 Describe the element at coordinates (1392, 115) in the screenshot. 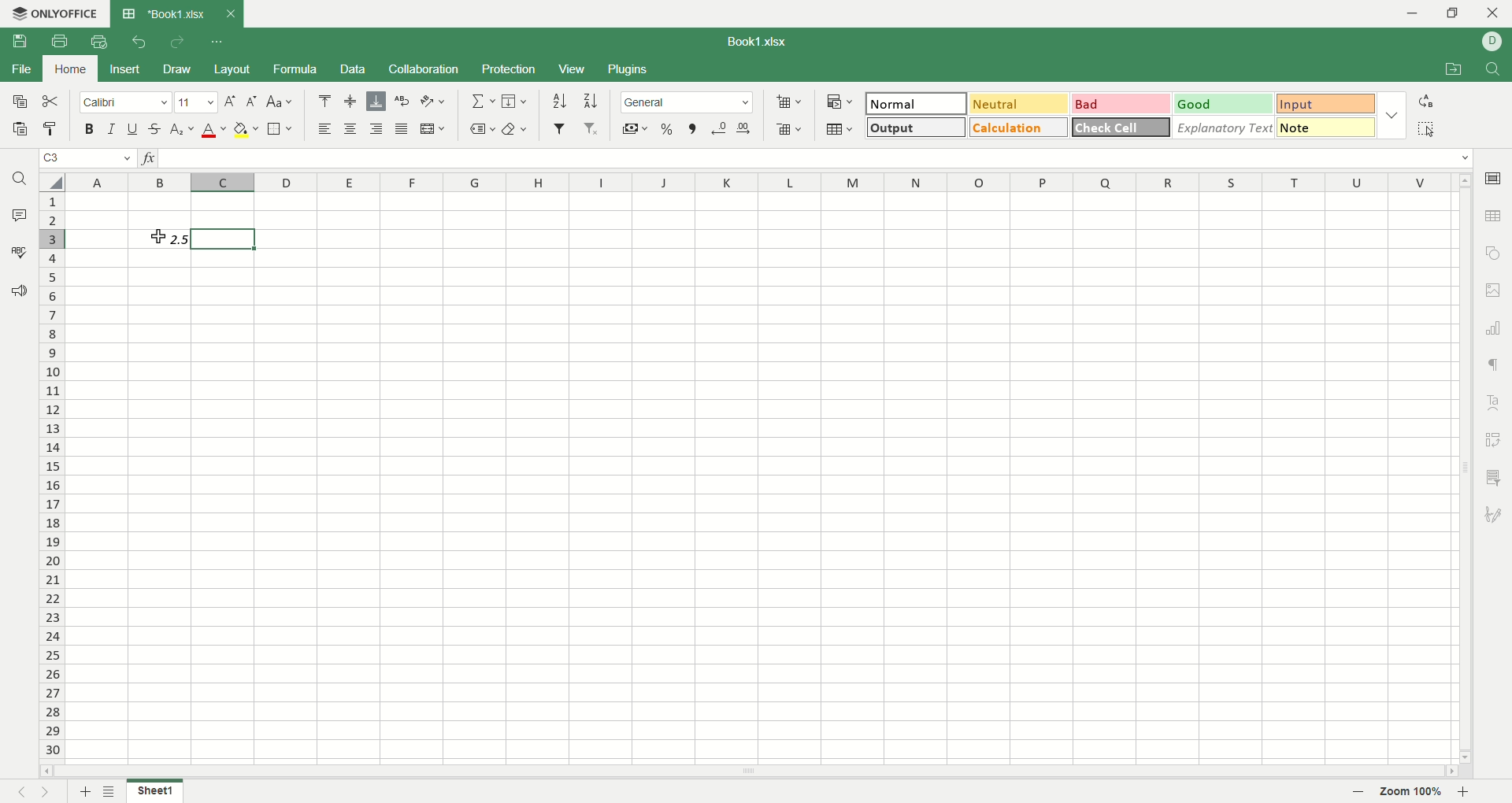

I see `style options` at that location.